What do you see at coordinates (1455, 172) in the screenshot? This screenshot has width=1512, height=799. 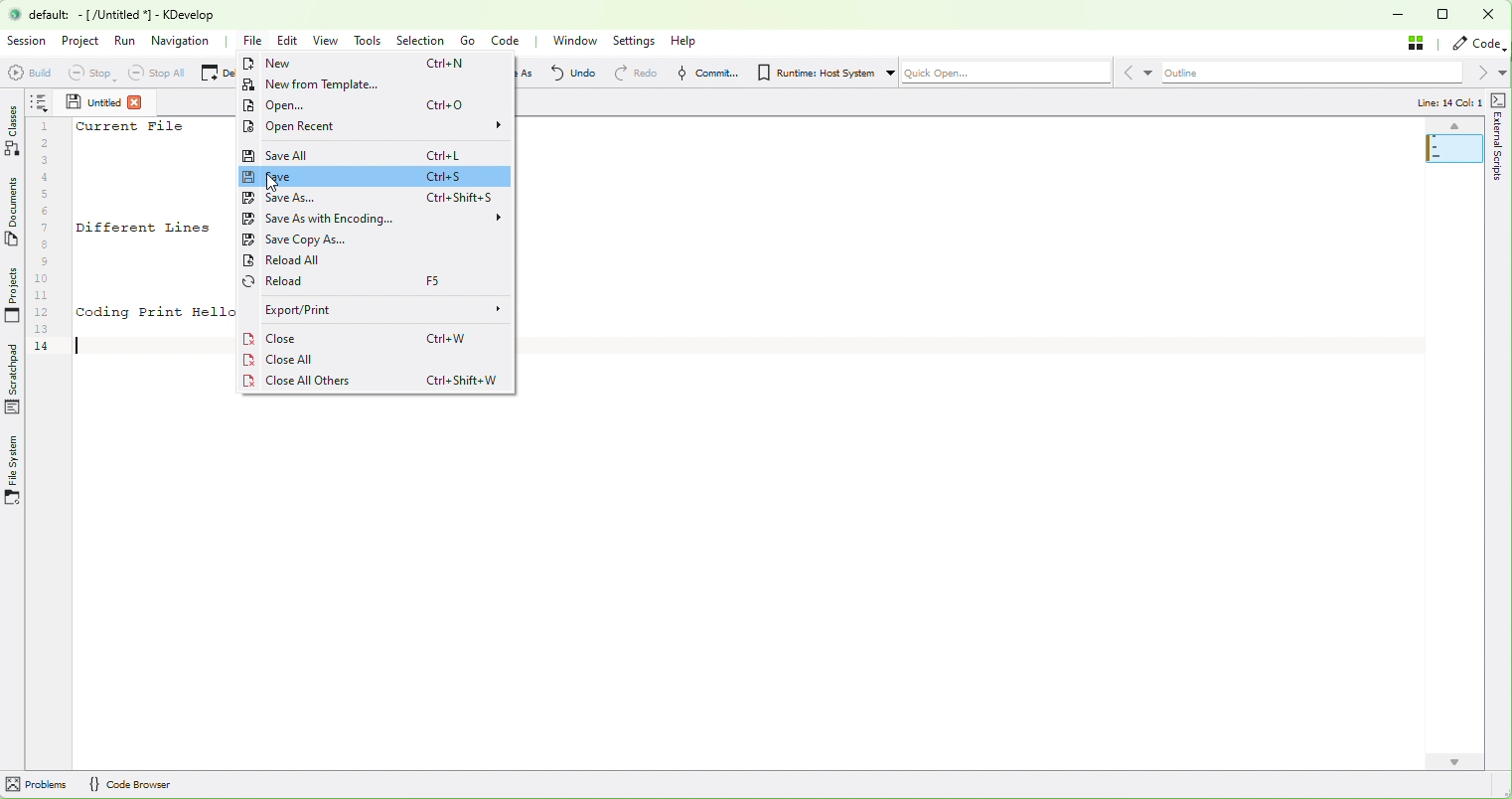 I see `Mini code map` at bounding box center [1455, 172].